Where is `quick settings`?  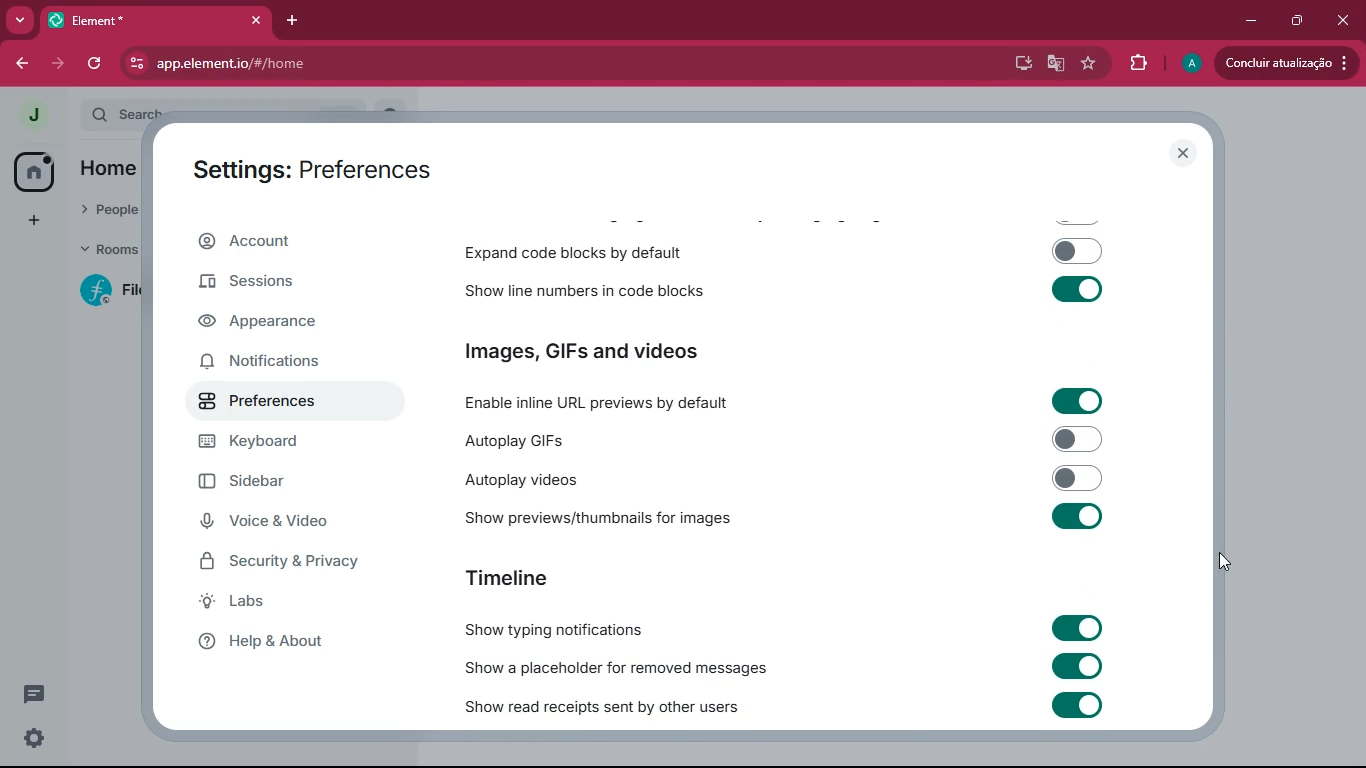 quick settings is located at coordinates (34, 737).